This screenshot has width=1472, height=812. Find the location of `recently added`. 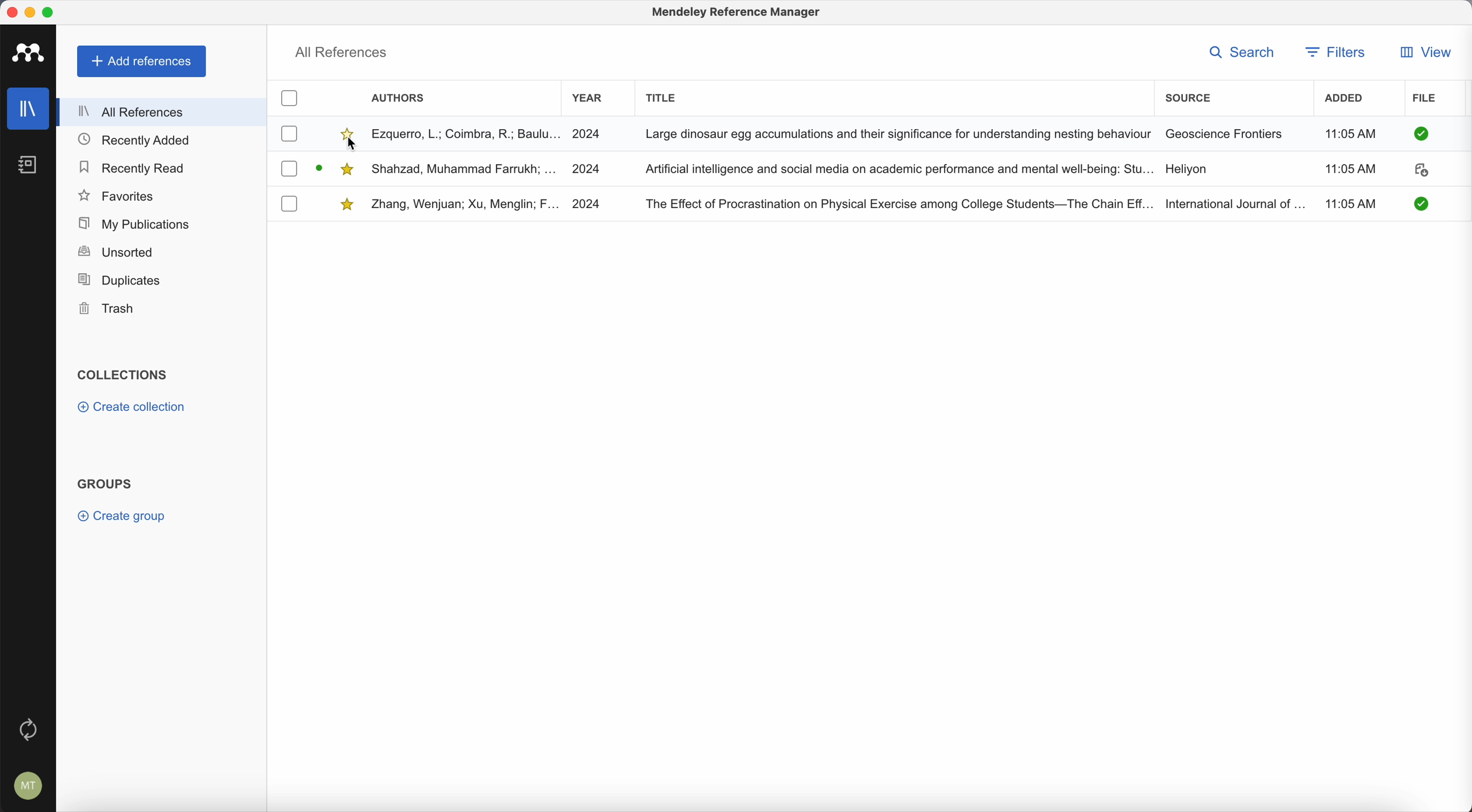

recently added is located at coordinates (139, 141).